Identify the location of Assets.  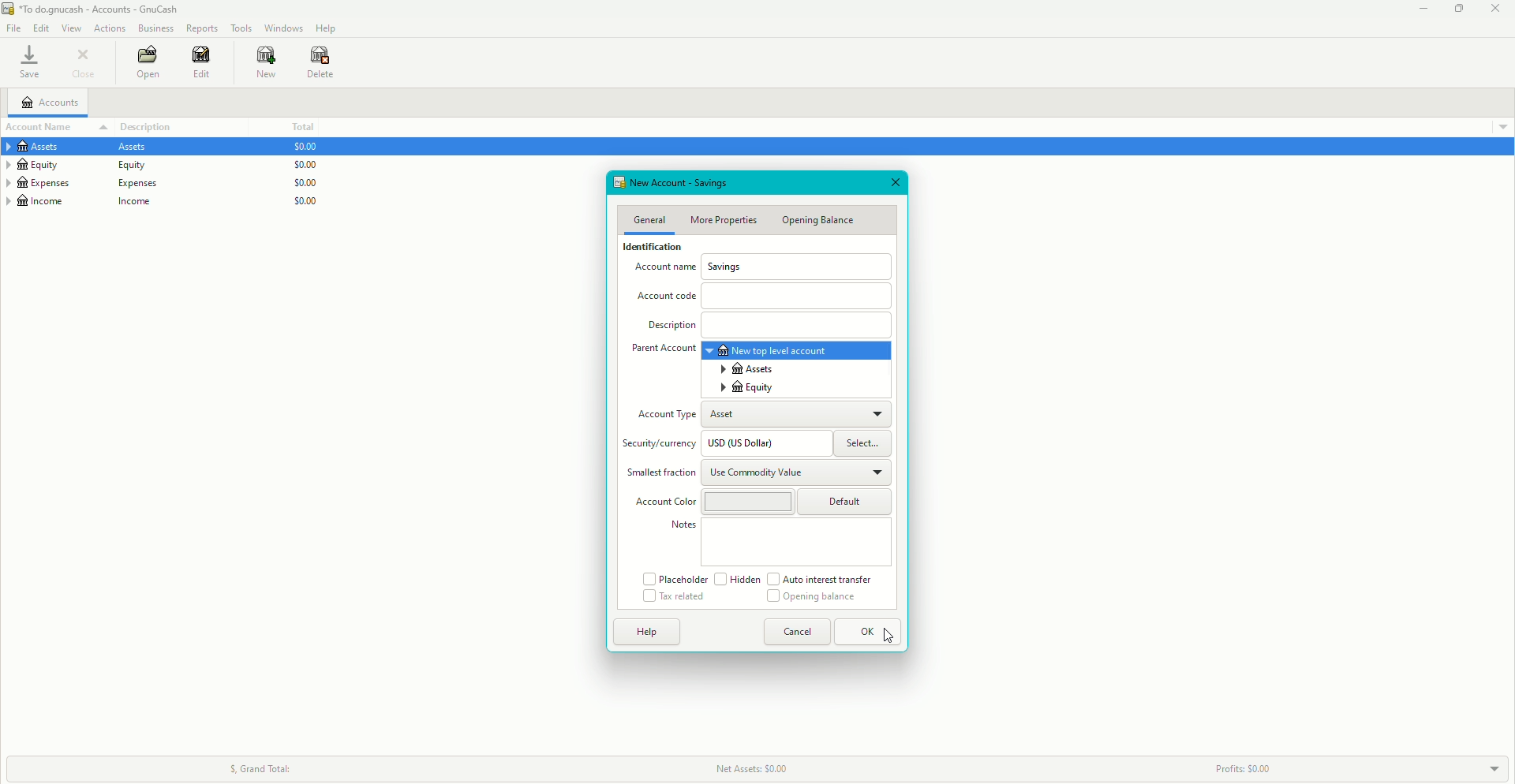
(84, 148).